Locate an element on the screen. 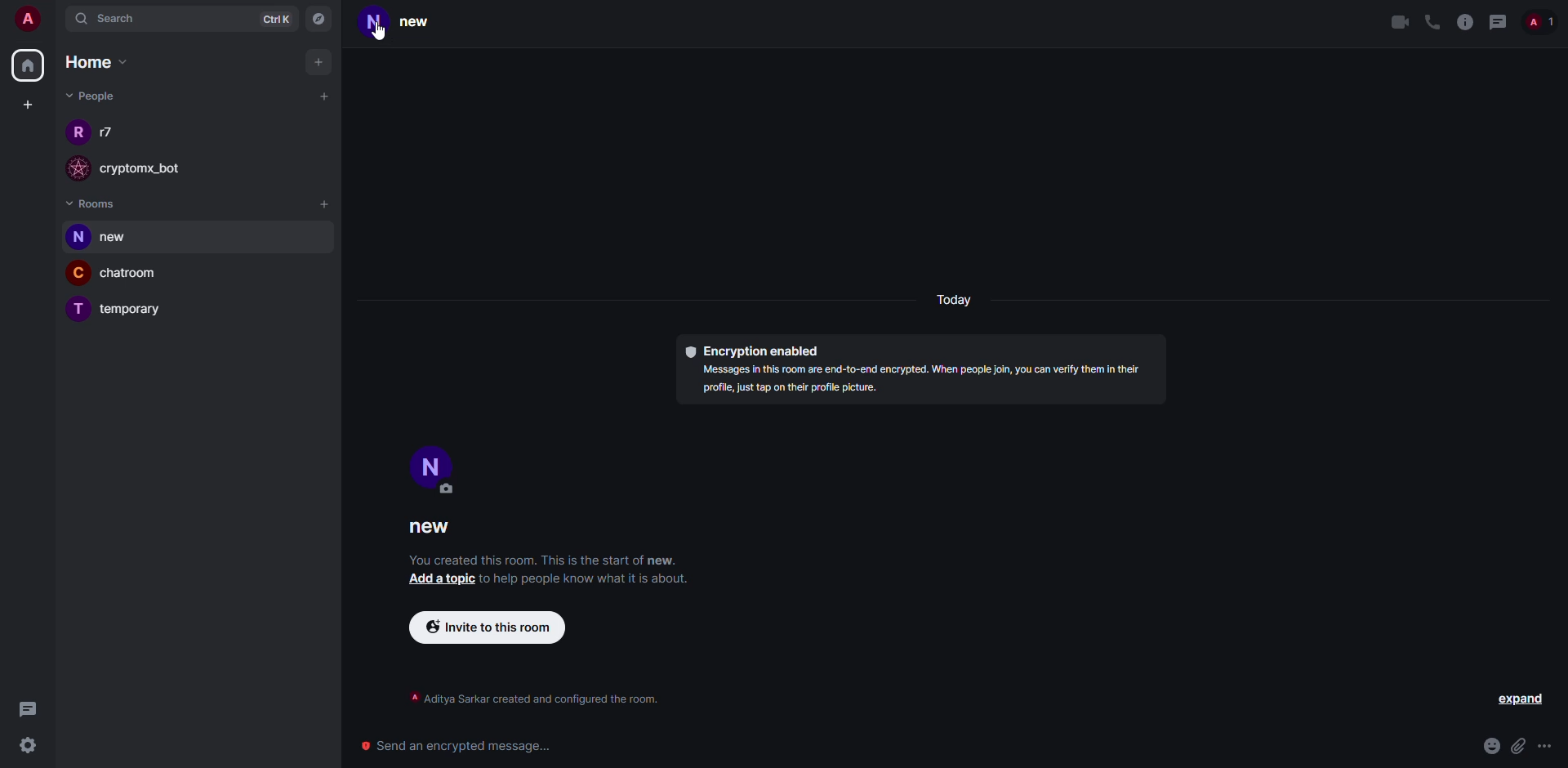 The image size is (1568, 768). profile image is located at coordinates (75, 238).